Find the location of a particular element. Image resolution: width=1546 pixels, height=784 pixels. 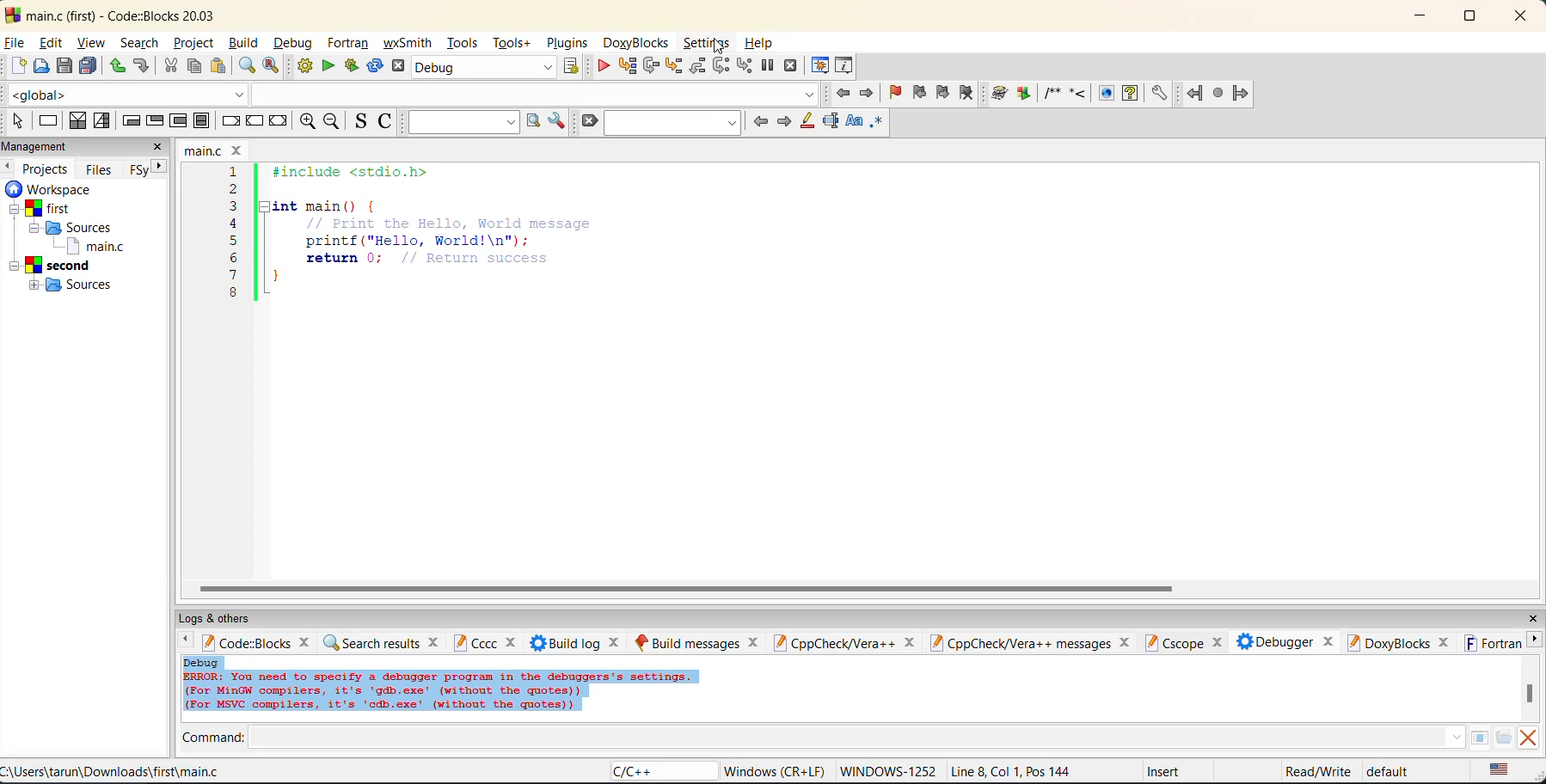

previous is located at coordinates (764, 121).